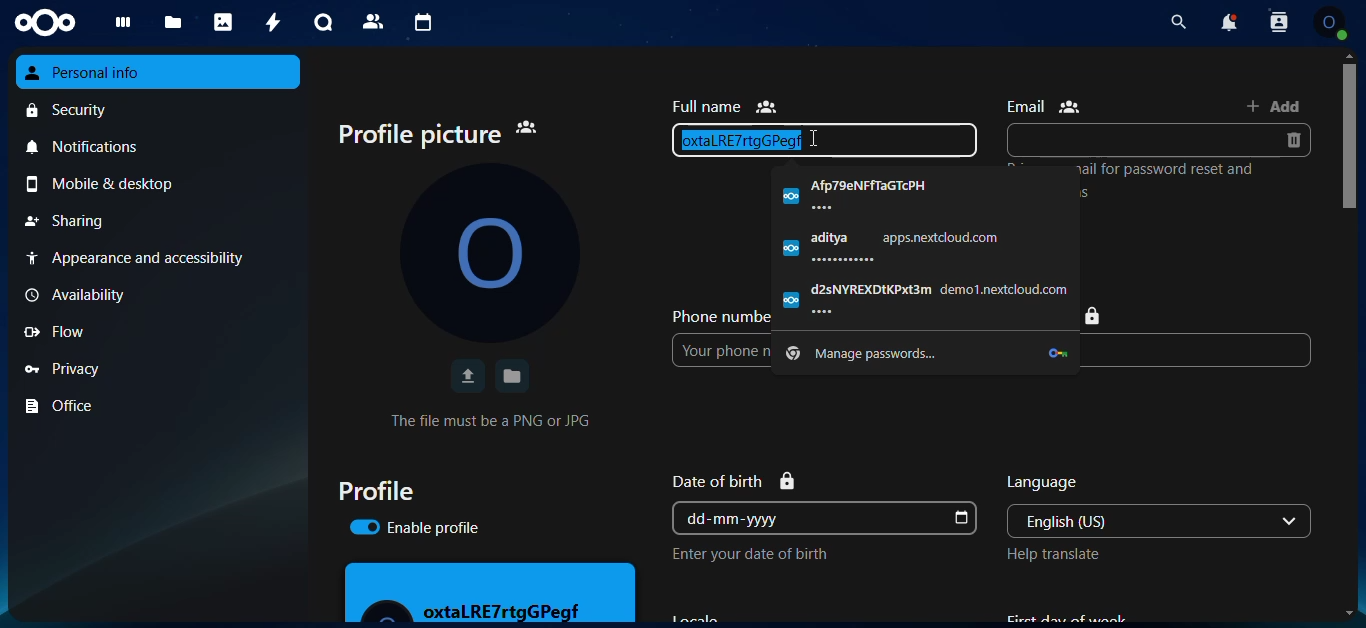 The height and width of the screenshot is (628, 1366). What do you see at coordinates (157, 332) in the screenshot?
I see `flow` at bounding box center [157, 332].